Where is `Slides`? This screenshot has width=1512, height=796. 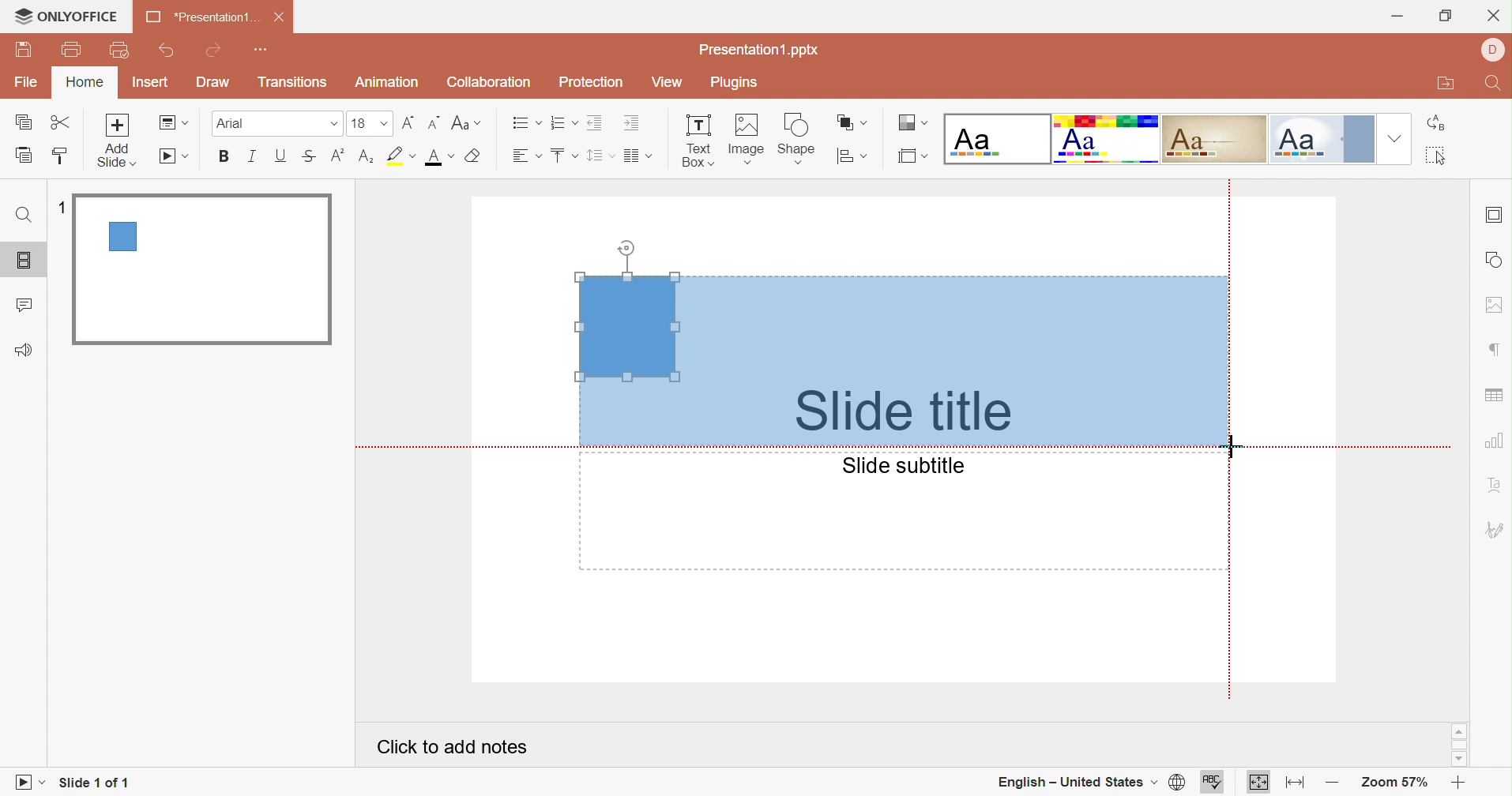 Slides is located at coordinates (27, 261).